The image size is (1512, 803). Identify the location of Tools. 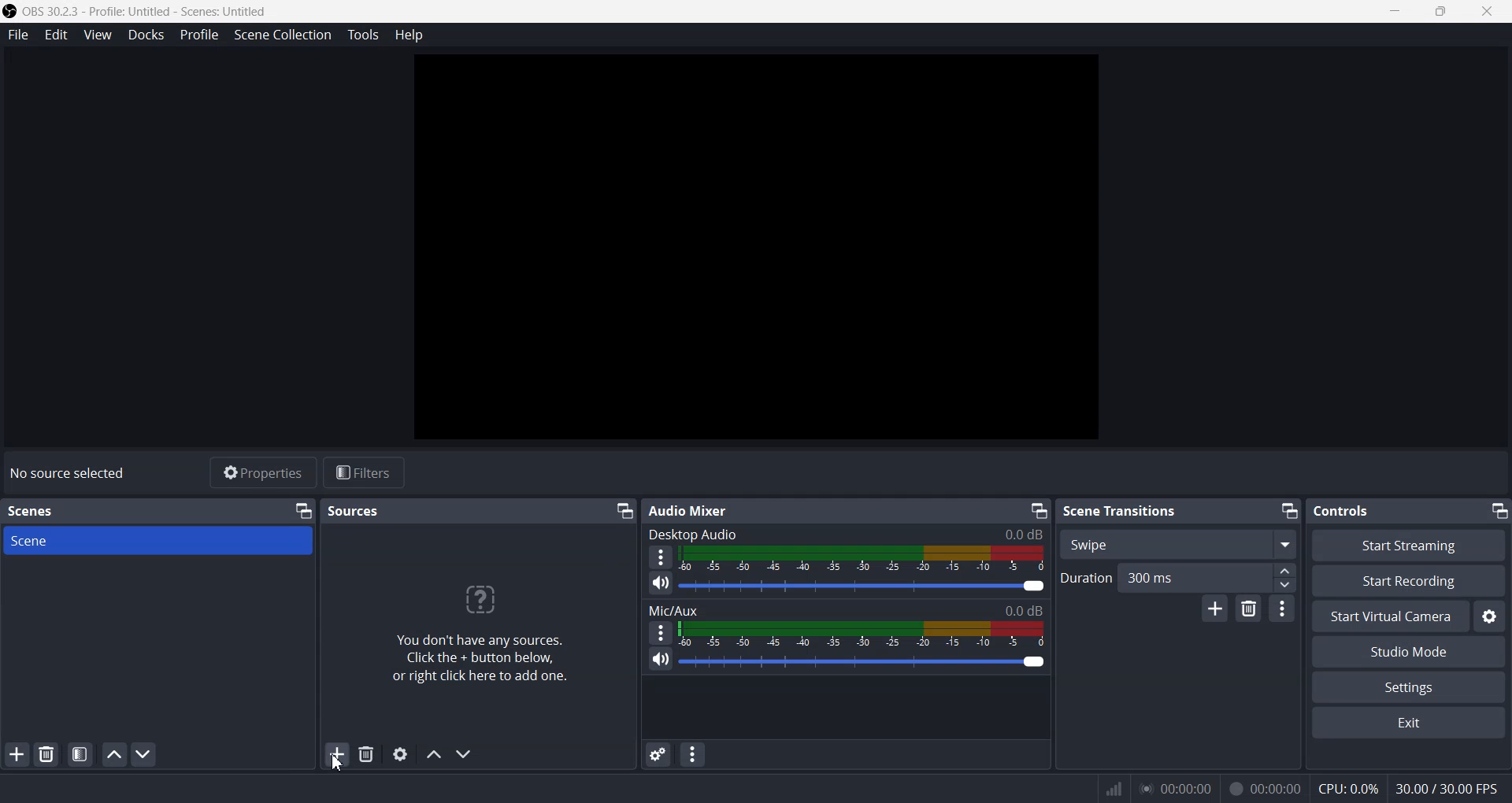
(362, 35).